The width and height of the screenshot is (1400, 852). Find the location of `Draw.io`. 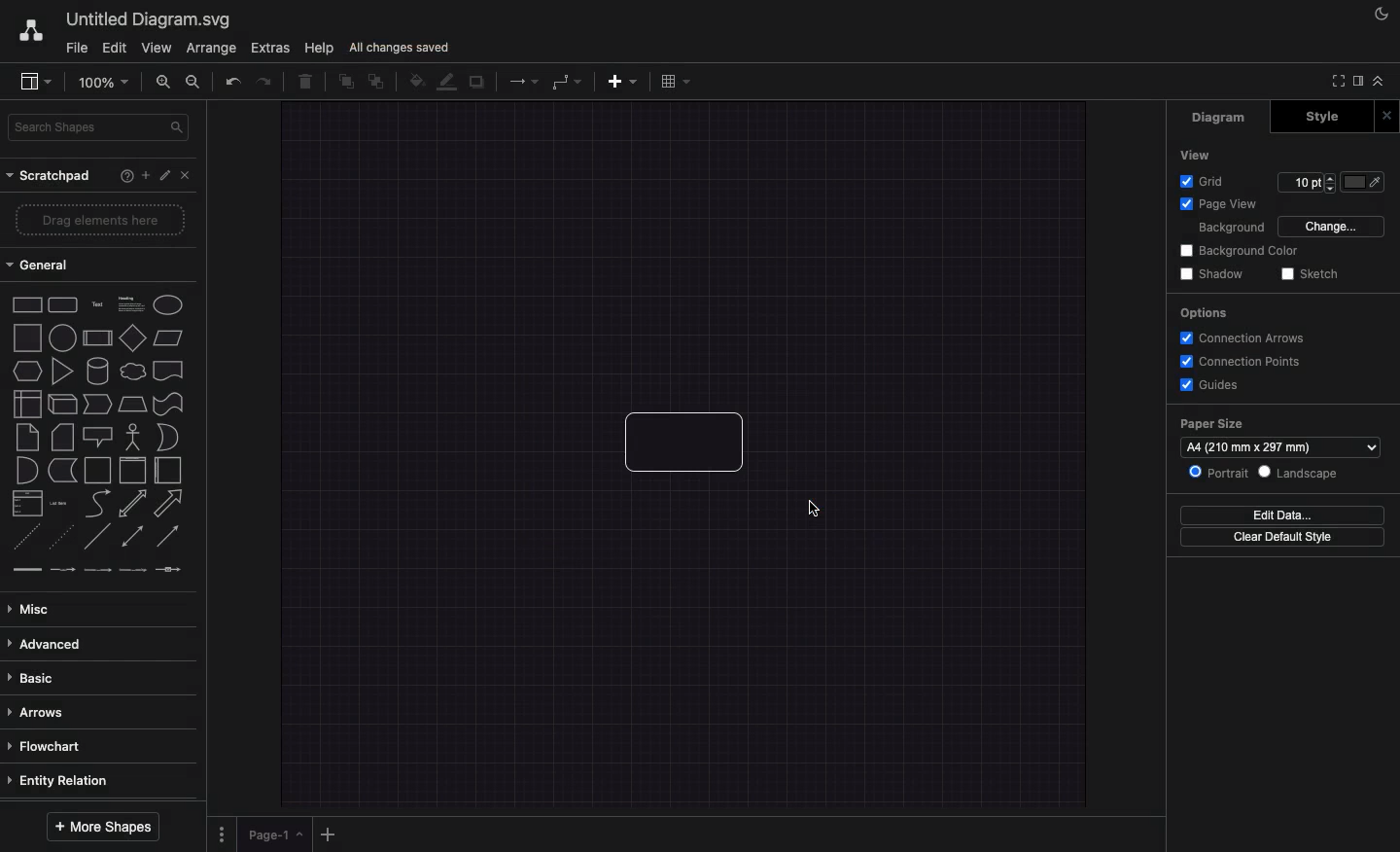

Draw.io is located at coordinates (25, 34).